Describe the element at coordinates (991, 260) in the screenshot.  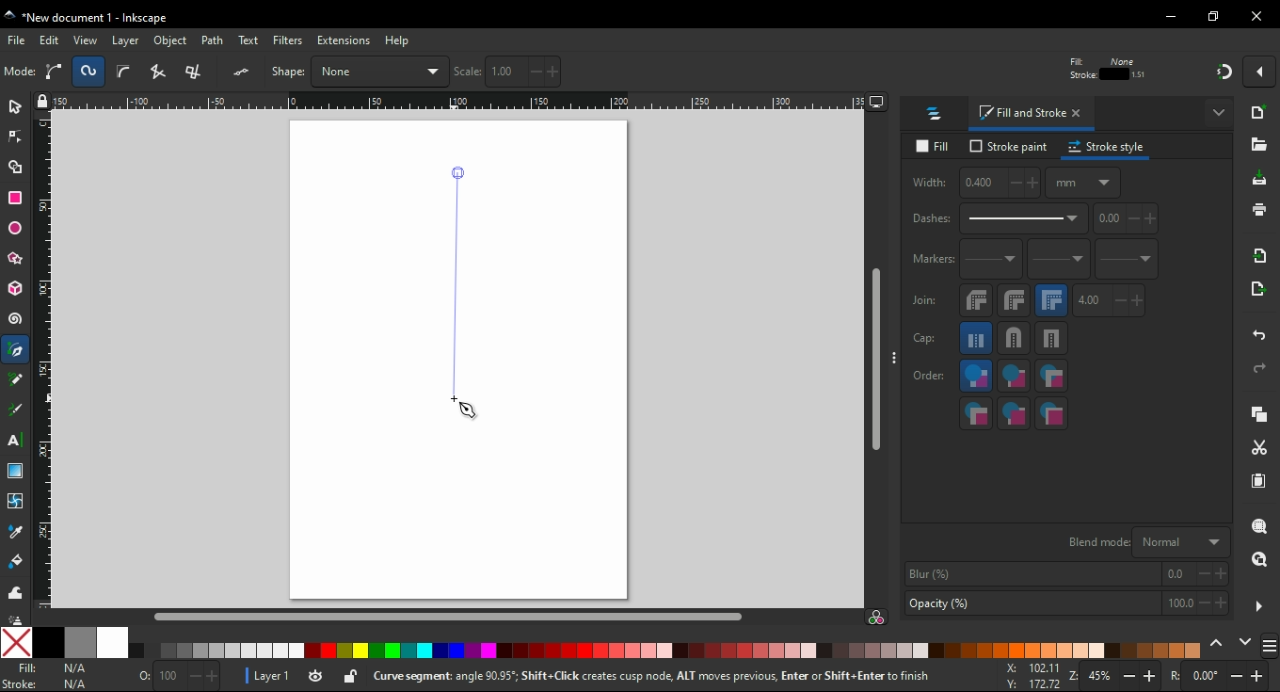
I see `start markers` at that location.